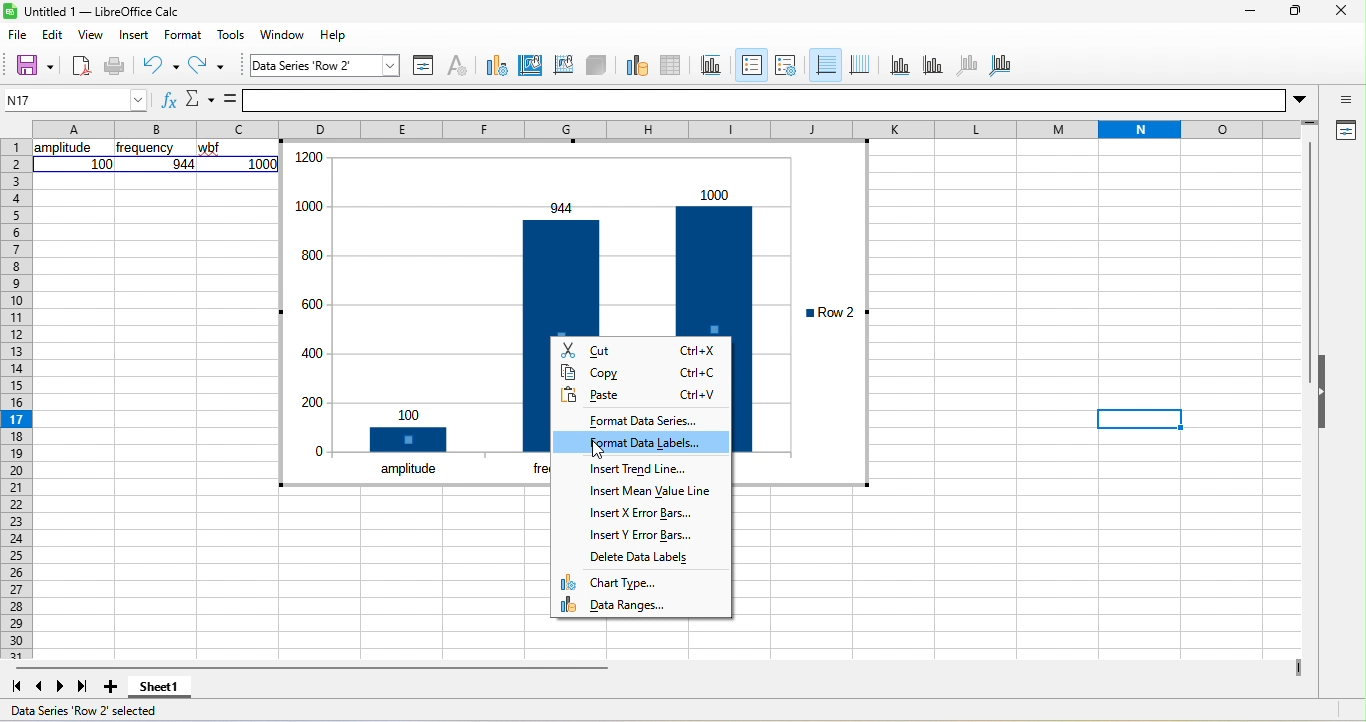 This screenshot has height=722, width=1366. I want to click on amplitude, so click(63, 148).